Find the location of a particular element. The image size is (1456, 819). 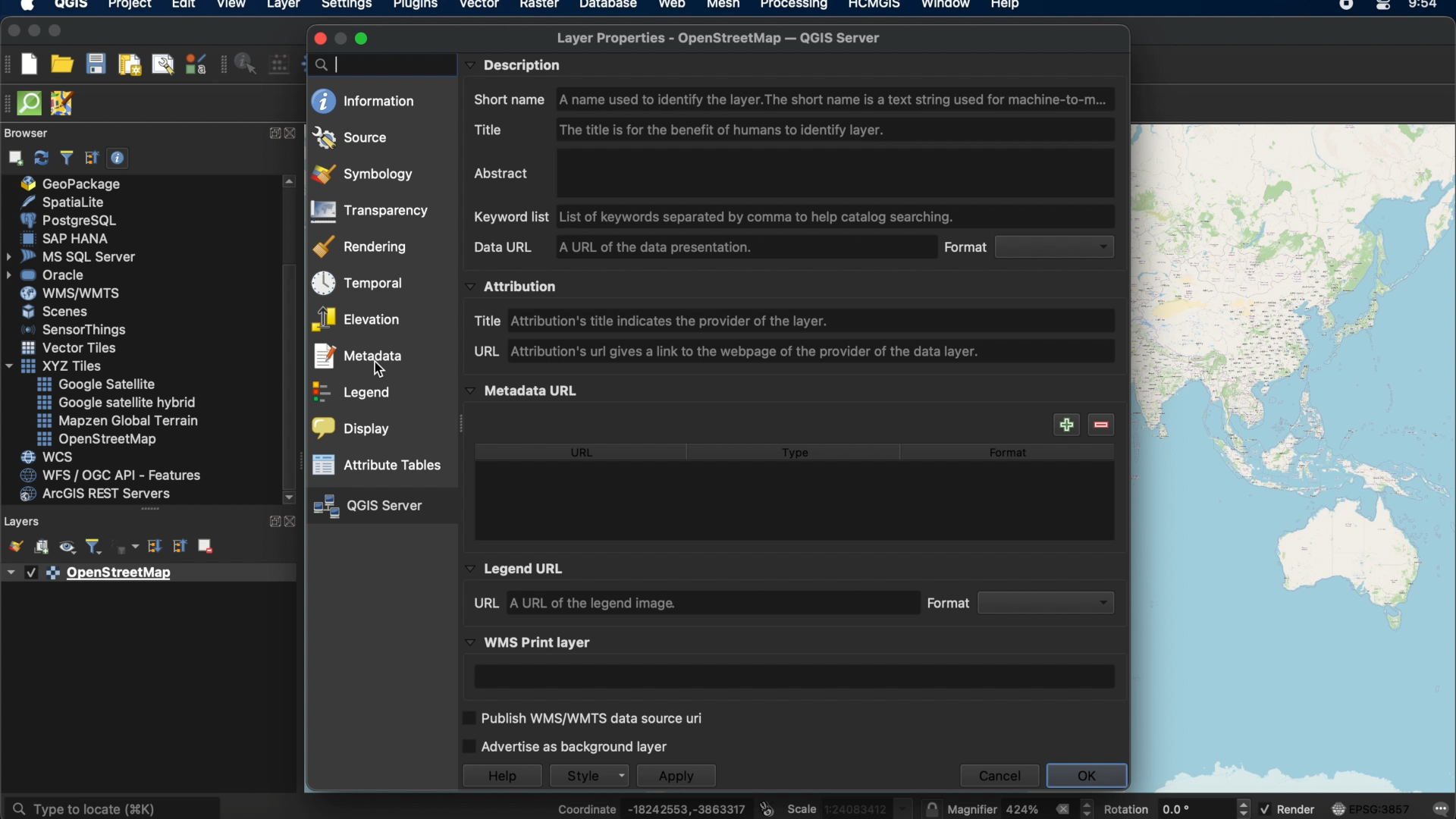

project toolbar is located at coordinates (11, 67).